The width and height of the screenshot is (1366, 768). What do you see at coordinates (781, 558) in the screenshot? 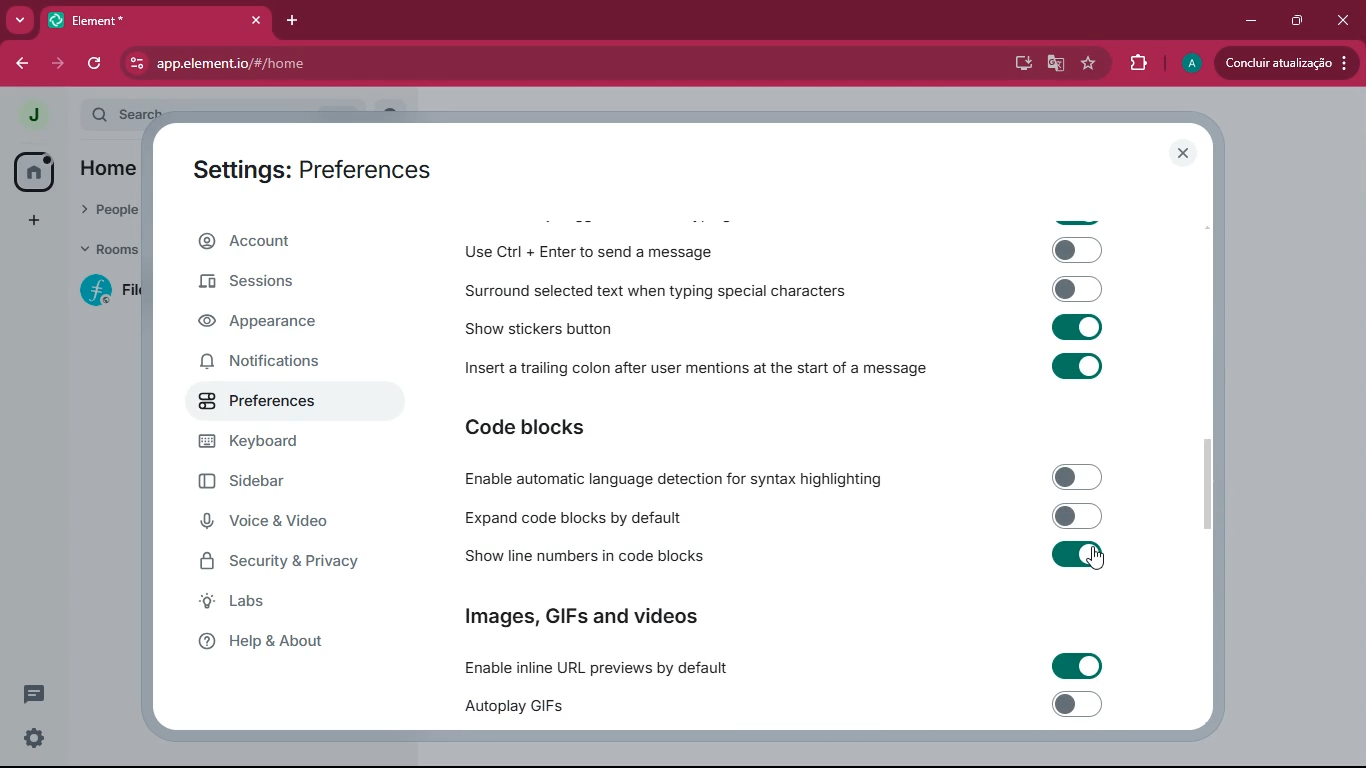
I see `Show line numbers in code blocks` at bounding box center [781, 558].